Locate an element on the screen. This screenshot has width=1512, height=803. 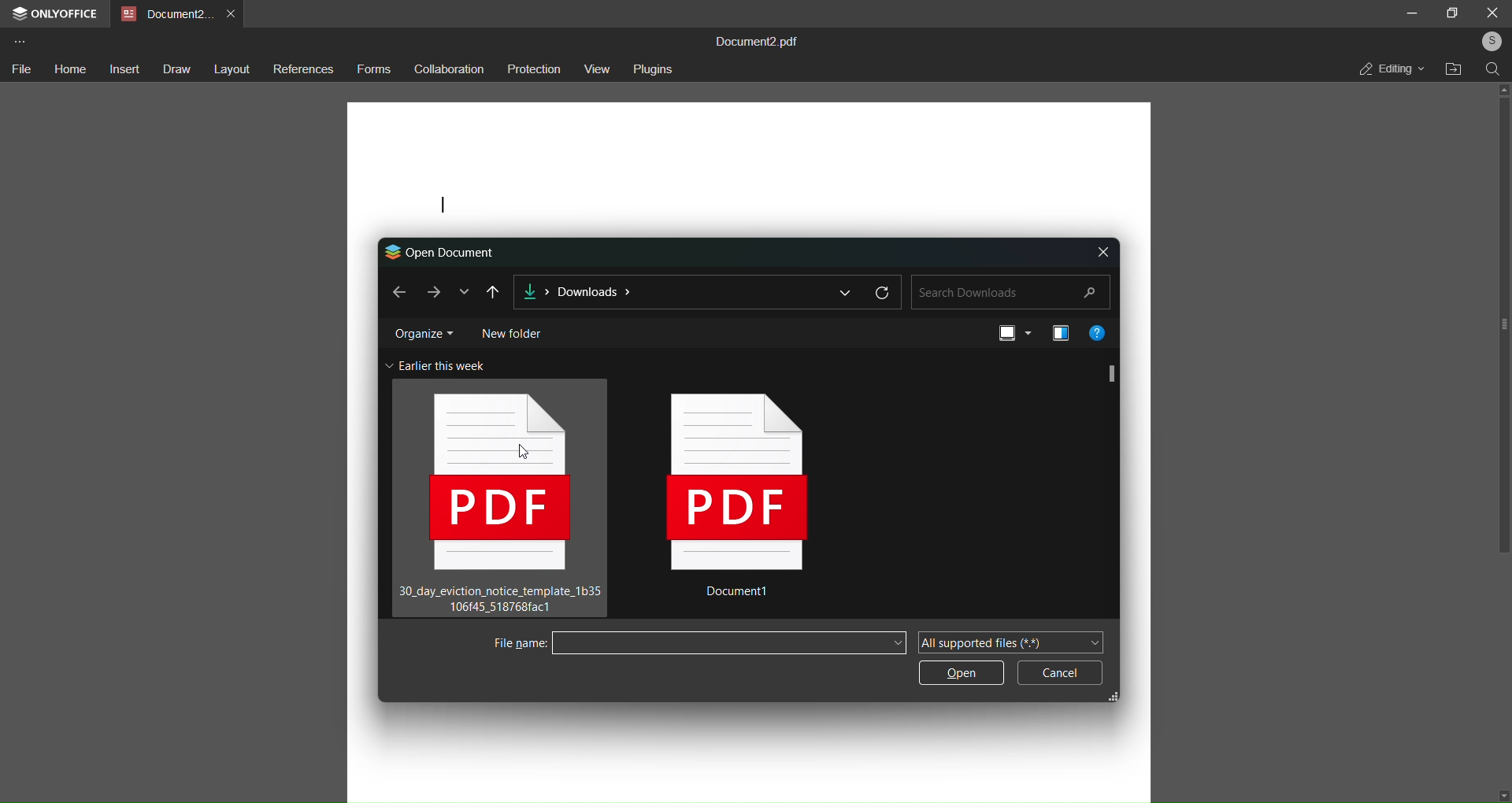
open document is located at coordinates (442, 250).